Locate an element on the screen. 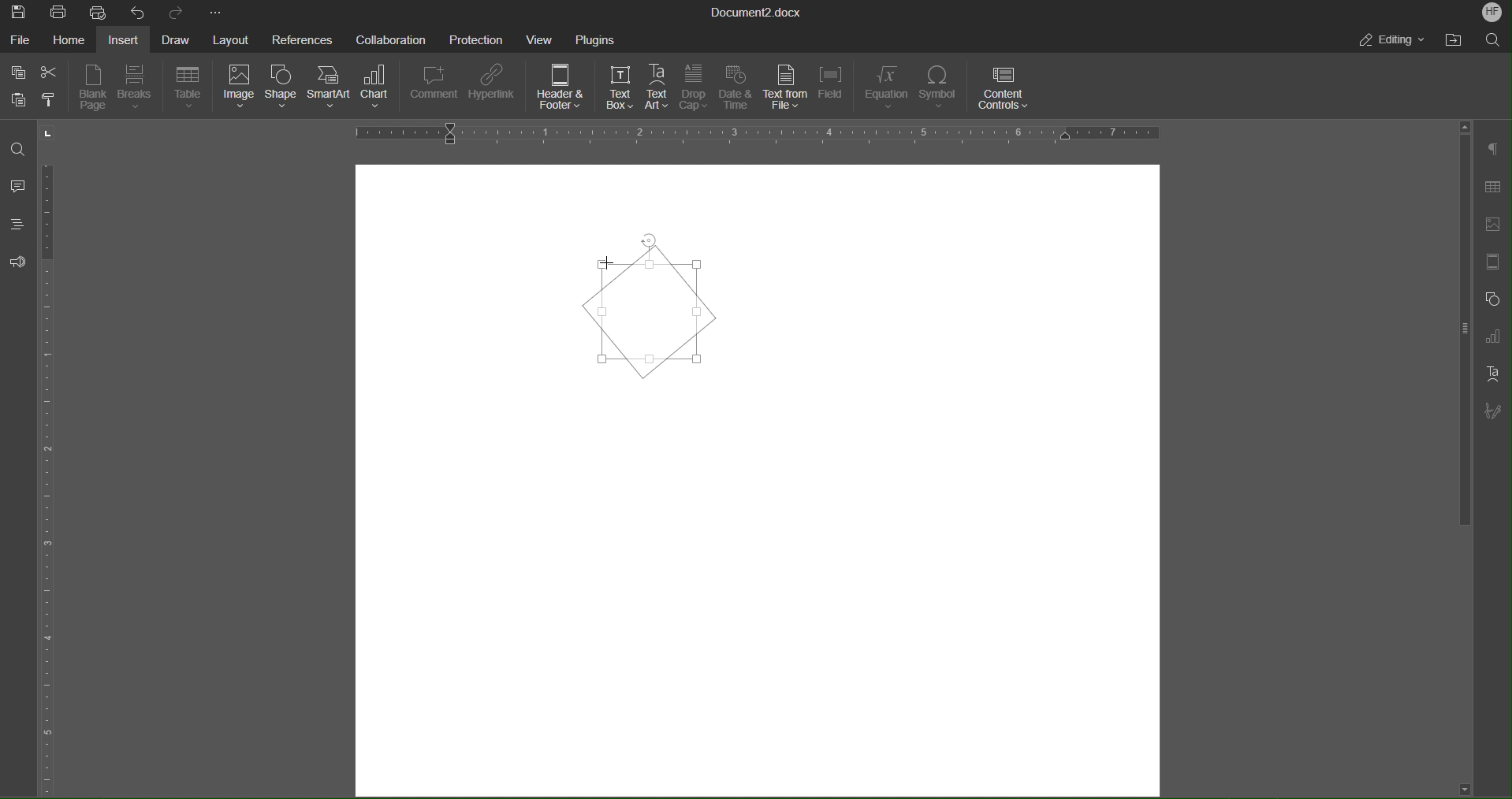 The height and width of the screenshot is (799, 1512). Quick Print is located at coordinates (99, 11).